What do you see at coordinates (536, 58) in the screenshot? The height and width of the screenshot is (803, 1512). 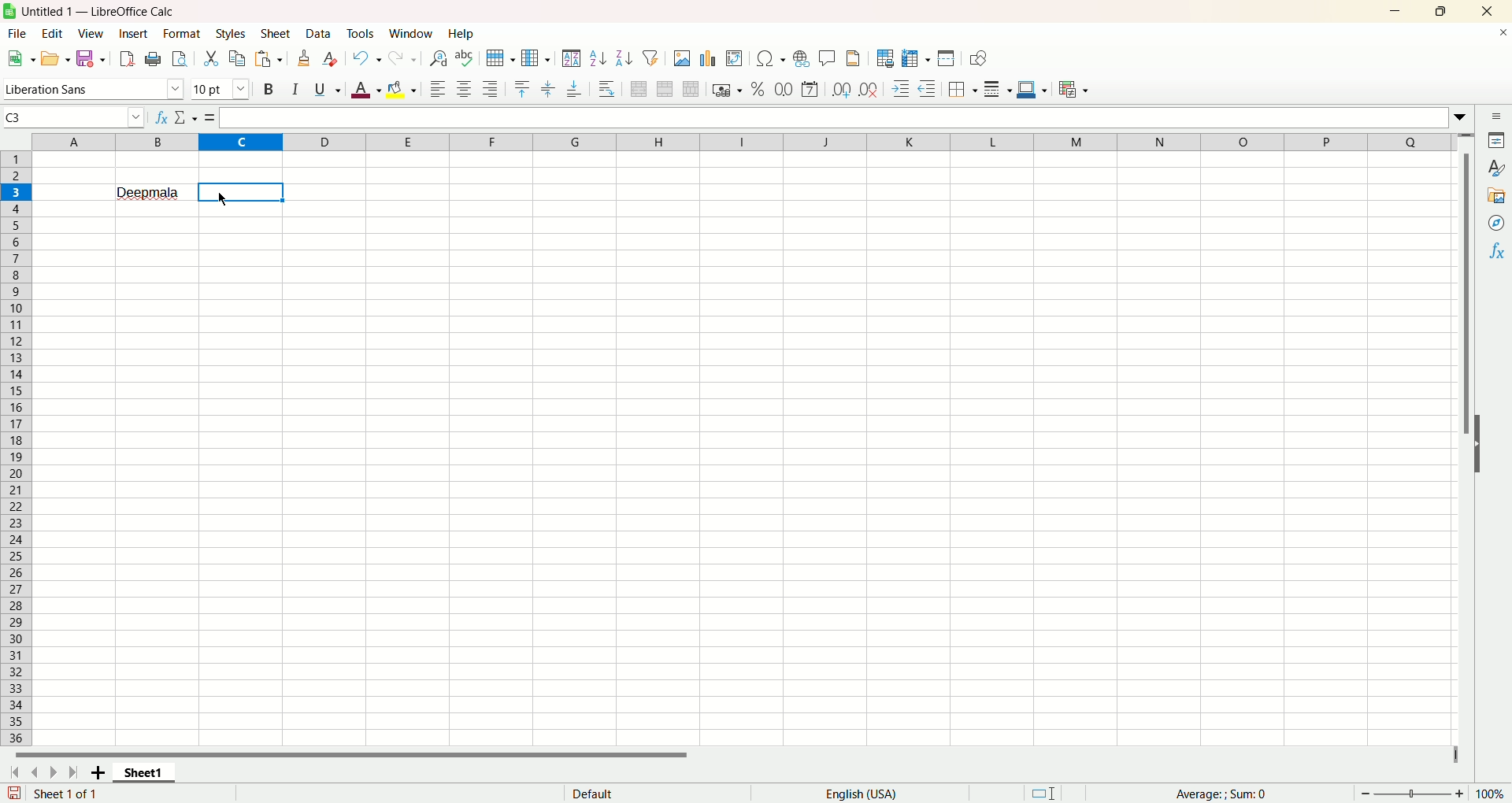 I see `Column` at bounding box center [536, 58].